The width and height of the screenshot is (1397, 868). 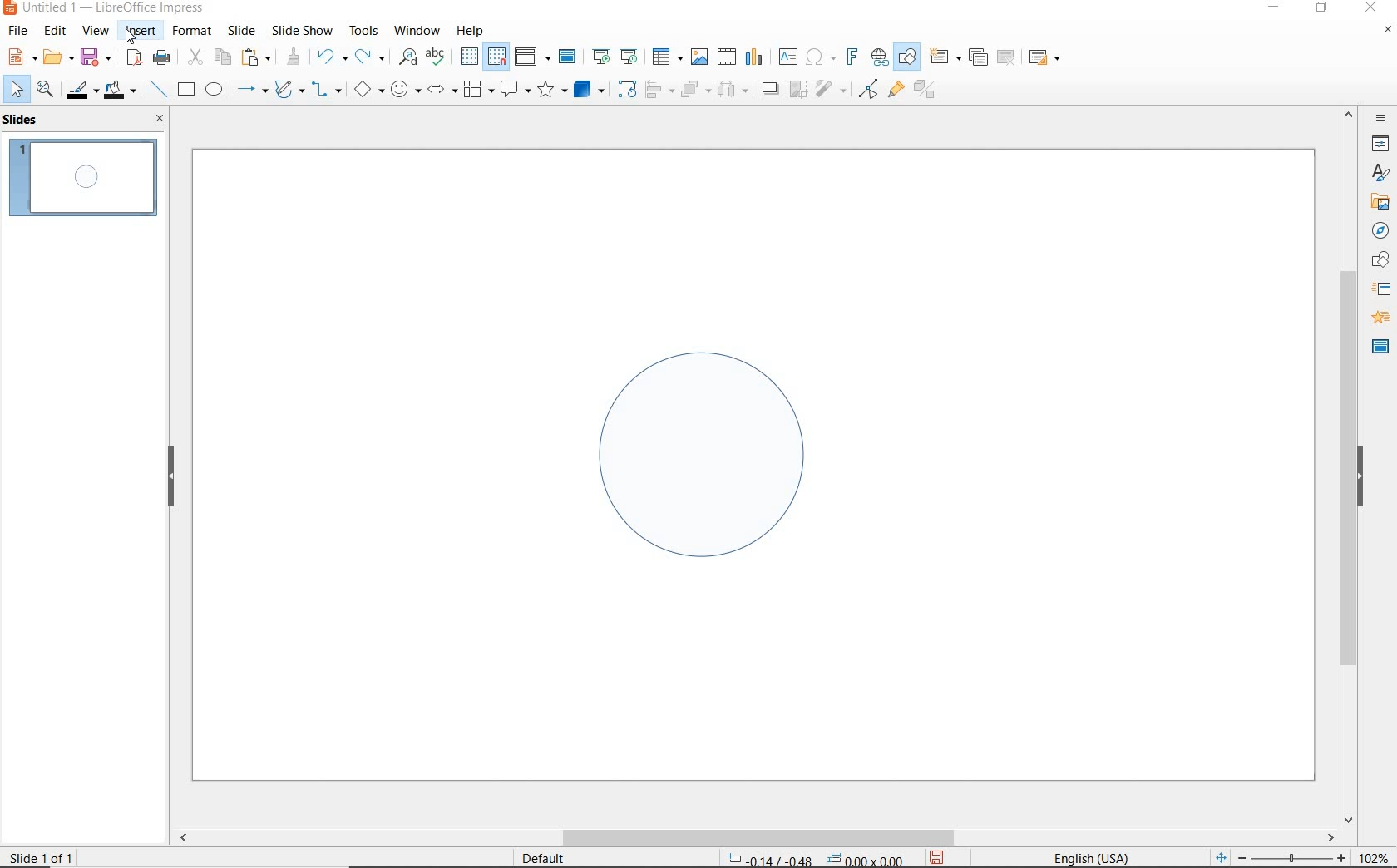 What do you see at coordinates (417, 29) in the screenshot?
I see `window` at bounding box center [417, 29].